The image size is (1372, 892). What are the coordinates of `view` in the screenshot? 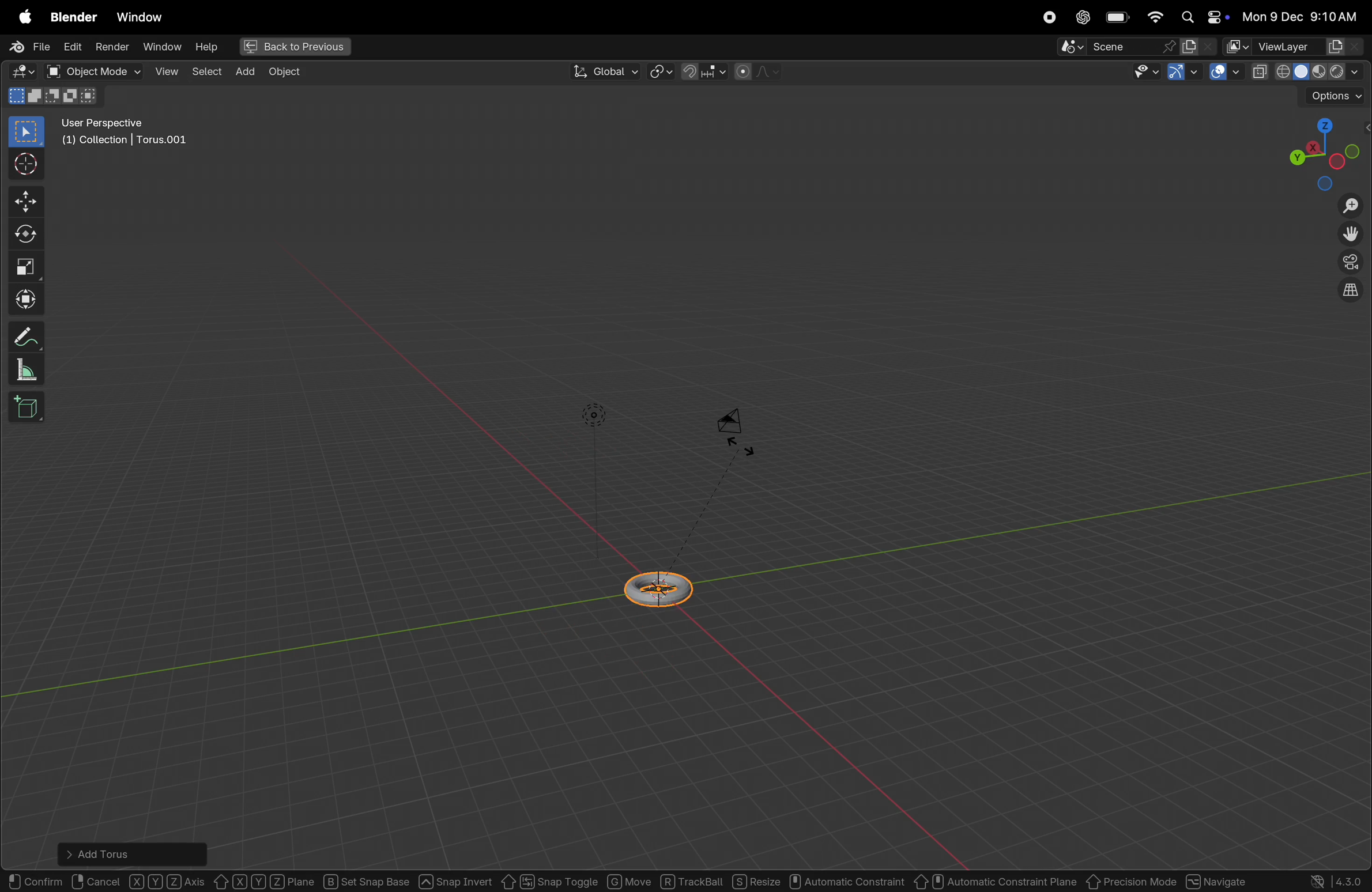 It's located at (166, 71).